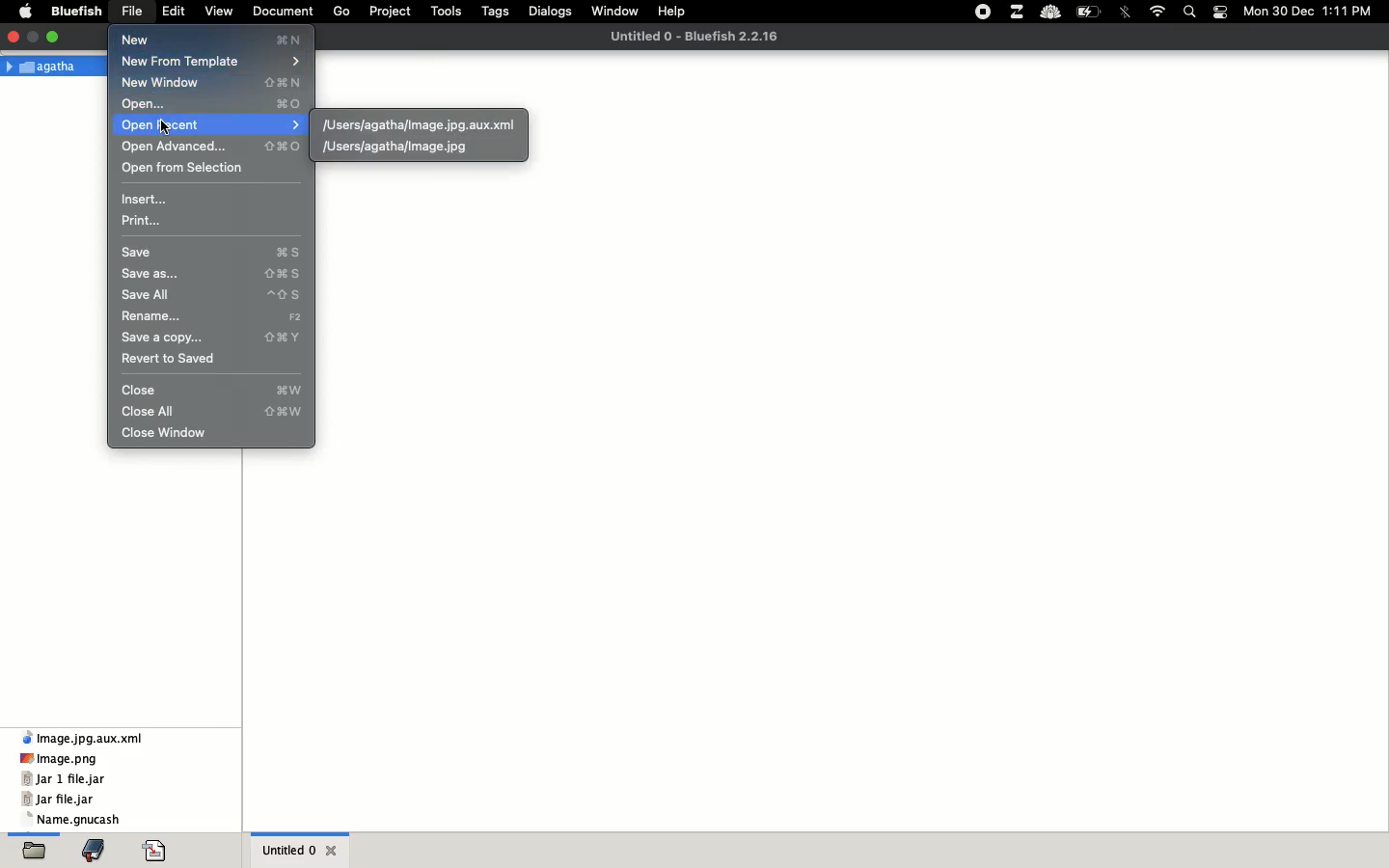  Describe the element at coordinates (98, 852) in the screenshot. I see `bookmark` at that location.